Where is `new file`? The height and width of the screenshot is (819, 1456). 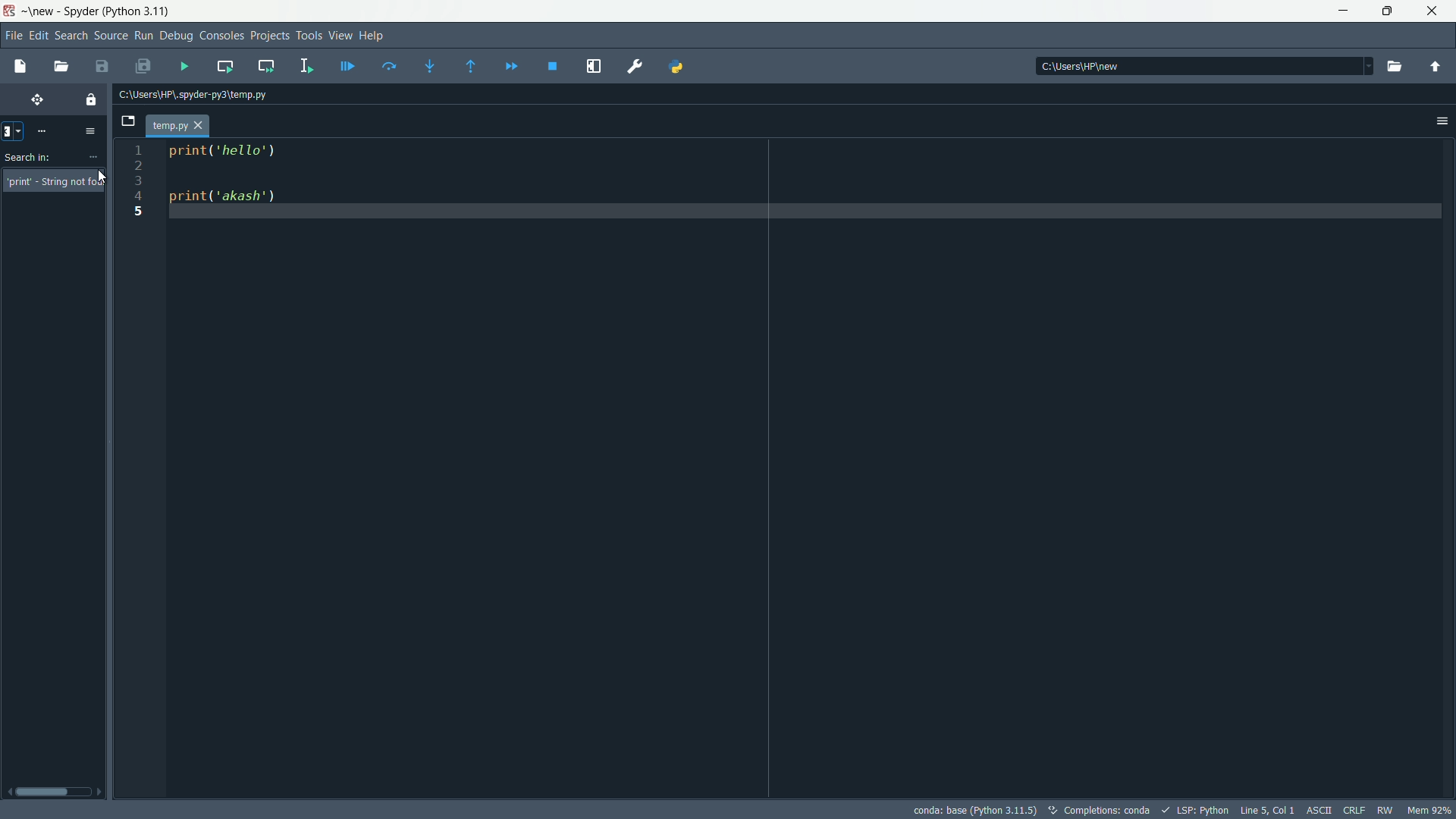 new file is located at coordinates (20, 67).